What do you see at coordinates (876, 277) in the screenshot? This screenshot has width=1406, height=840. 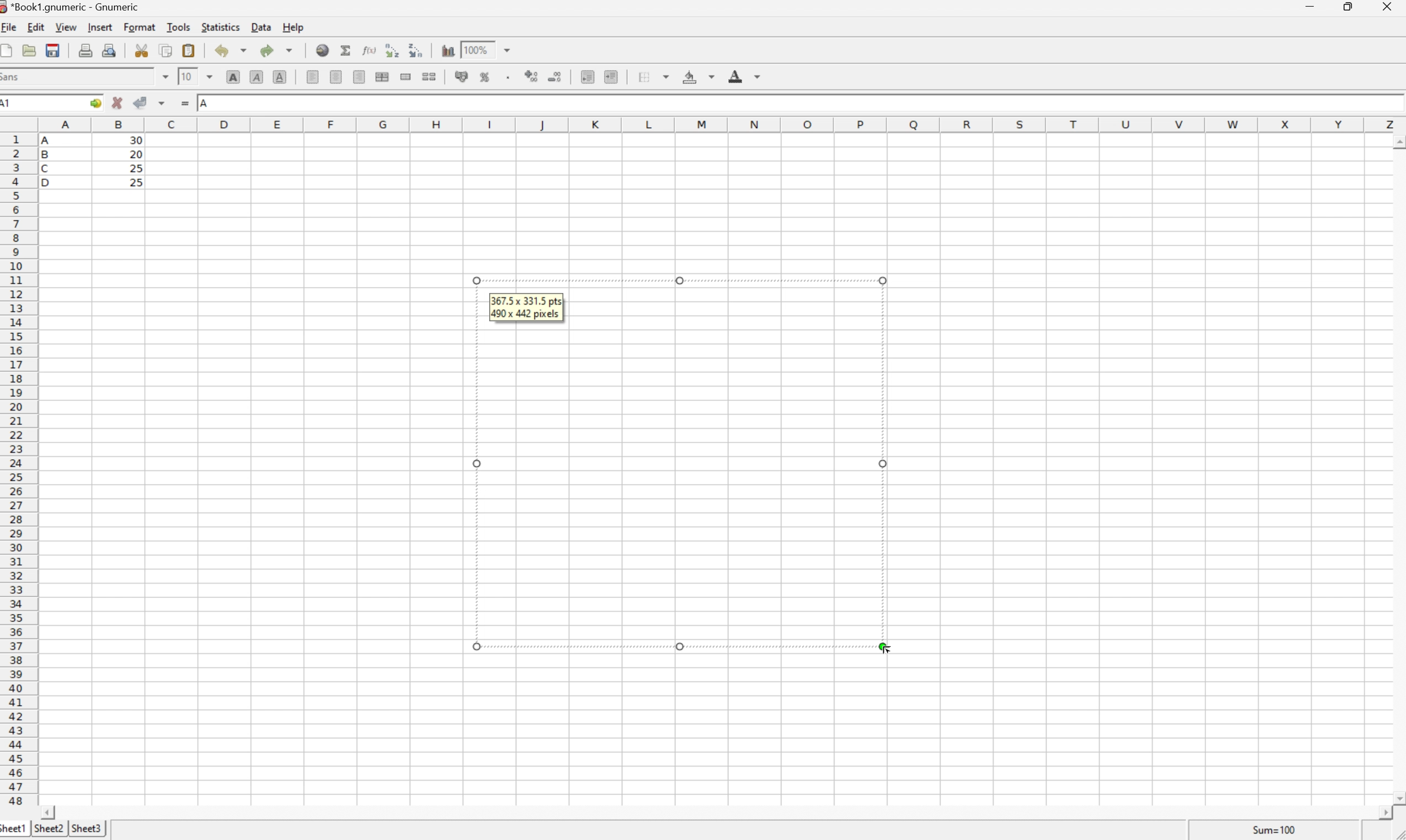 I see `` at bounding box center [876, 277].